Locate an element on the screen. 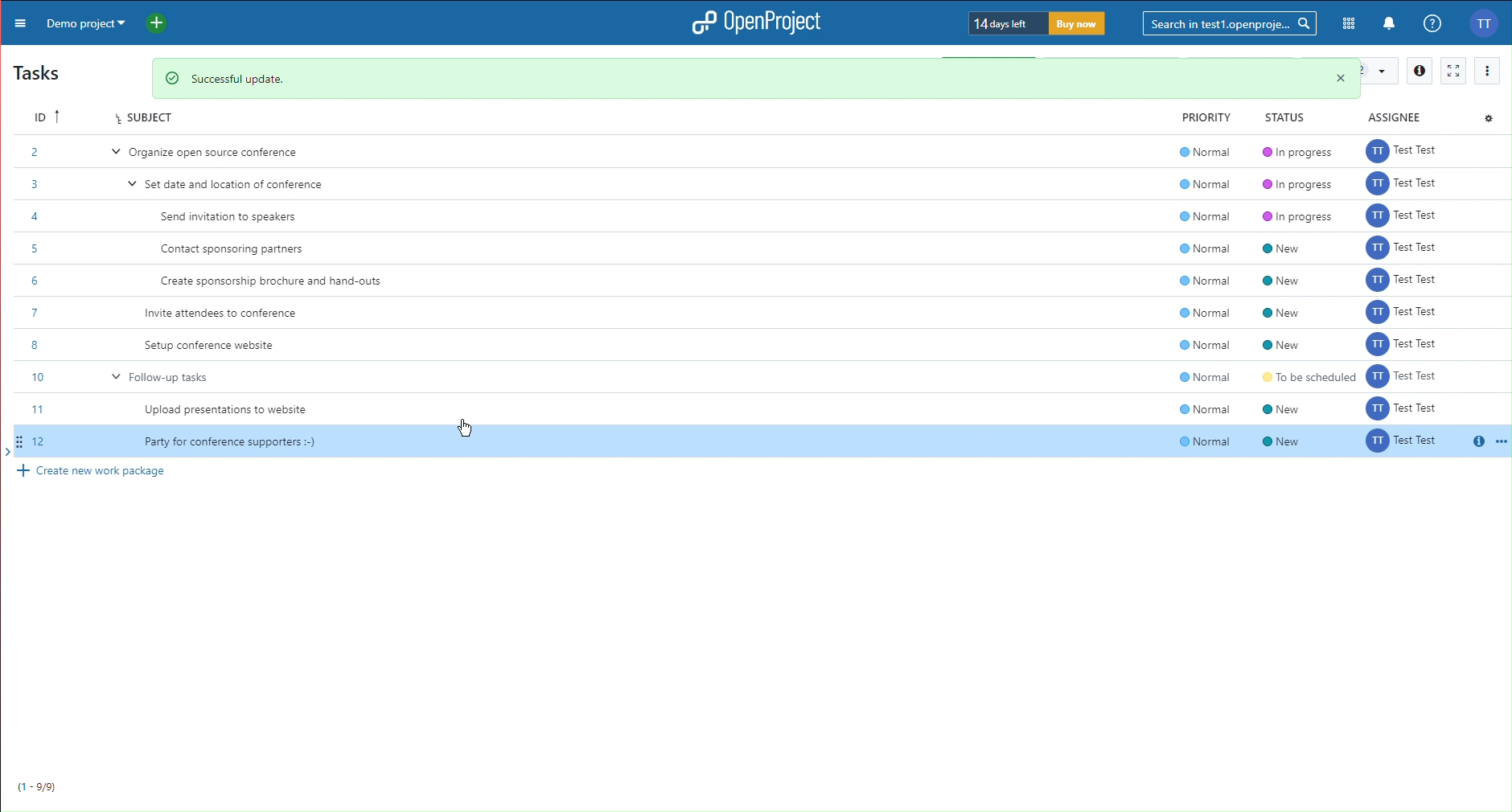 The image size is (1512, 812). cursor is located at coordinates (462, 428).